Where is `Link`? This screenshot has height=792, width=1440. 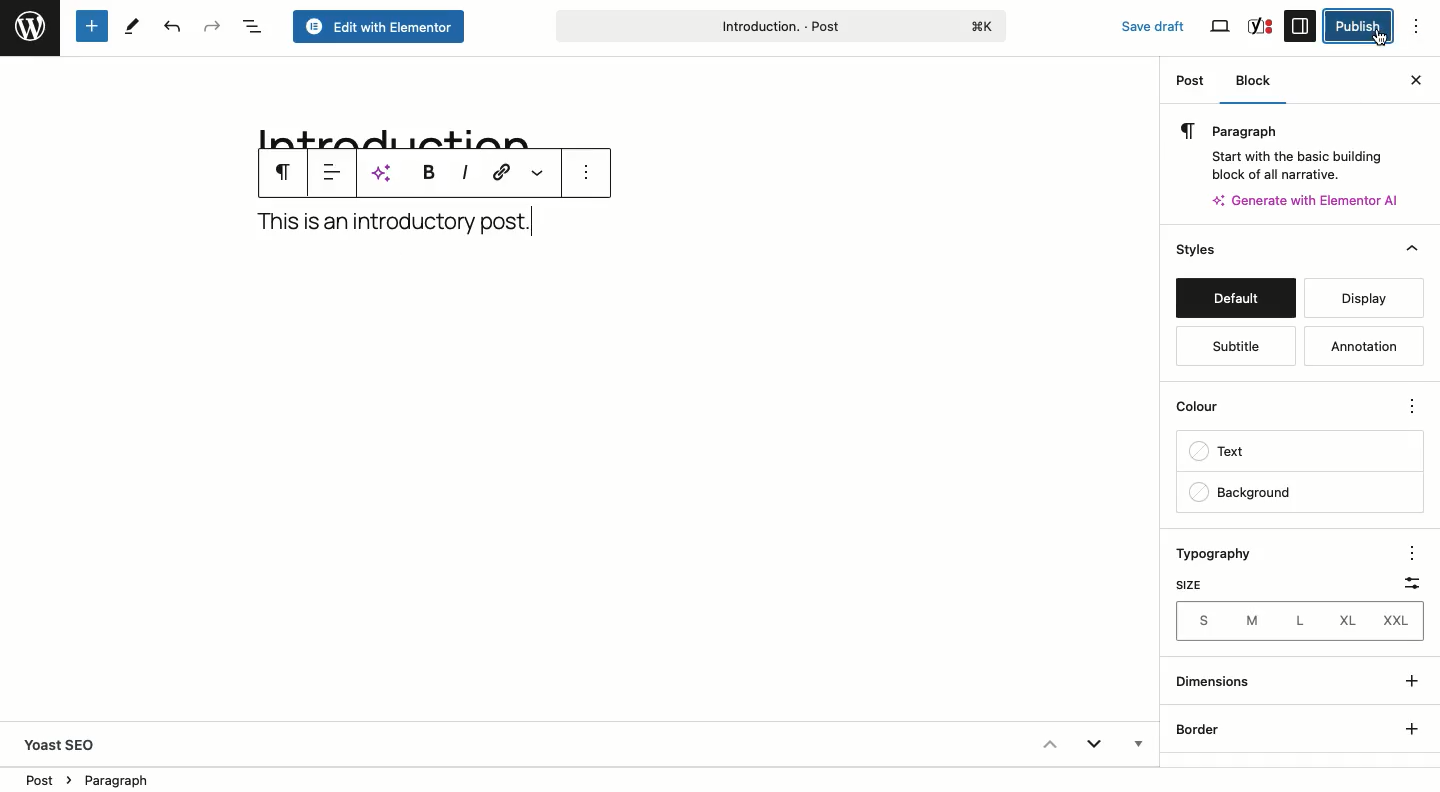 Link is located at coordinates (499, 172).